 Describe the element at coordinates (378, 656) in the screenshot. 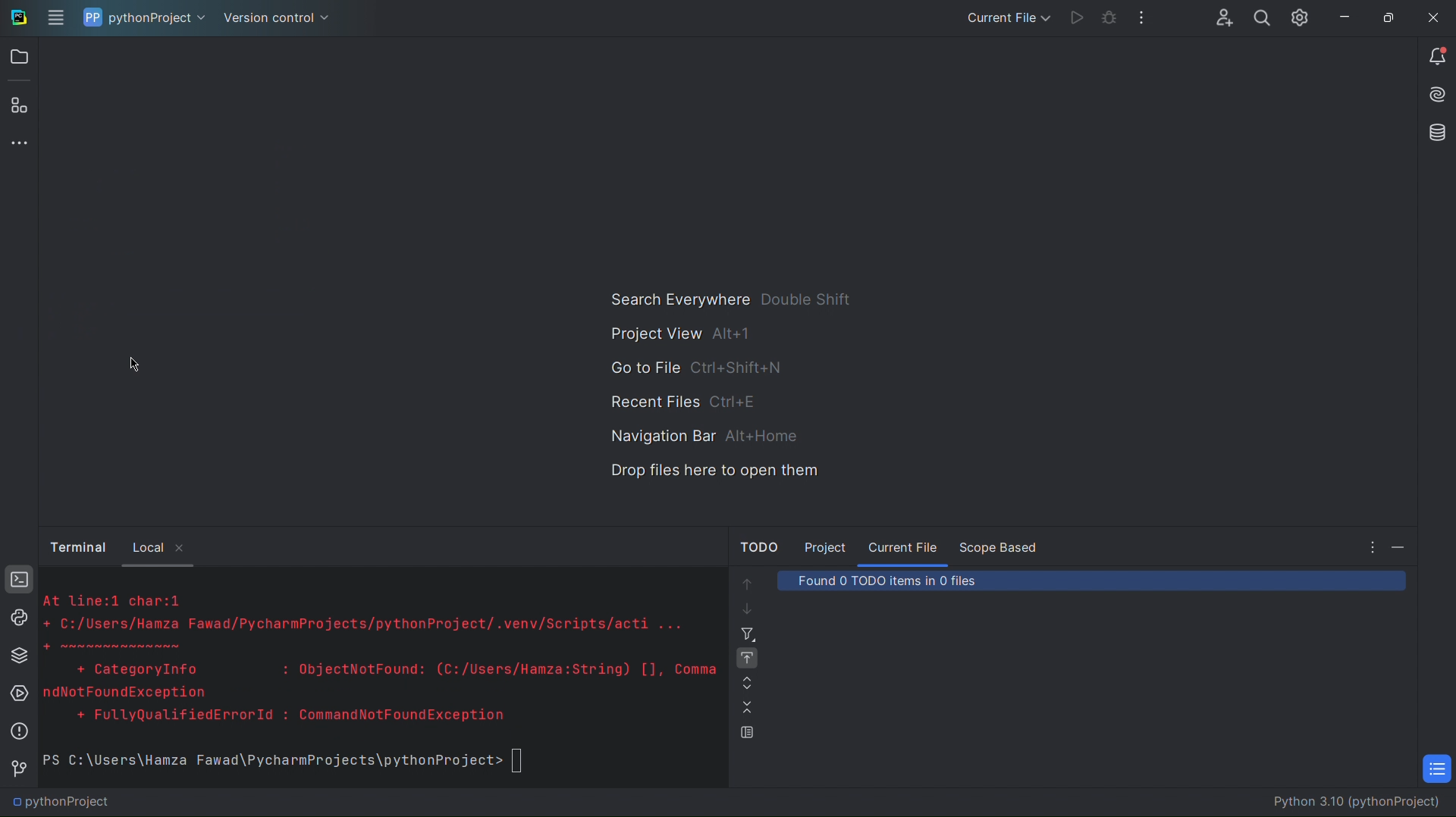

I see `\At line:1 char:1+ C:/Users/Hamza Fawad/PycharmProjects/pythonProject/.venv/Scripts/acti ...SEER+ CategoryInfo : ObjectNotFound: (C:/Users/Hamza:String) [], CommandNotFoundException+ FullyQualifiedErrorId : CommandNotFoundException ` at that location.